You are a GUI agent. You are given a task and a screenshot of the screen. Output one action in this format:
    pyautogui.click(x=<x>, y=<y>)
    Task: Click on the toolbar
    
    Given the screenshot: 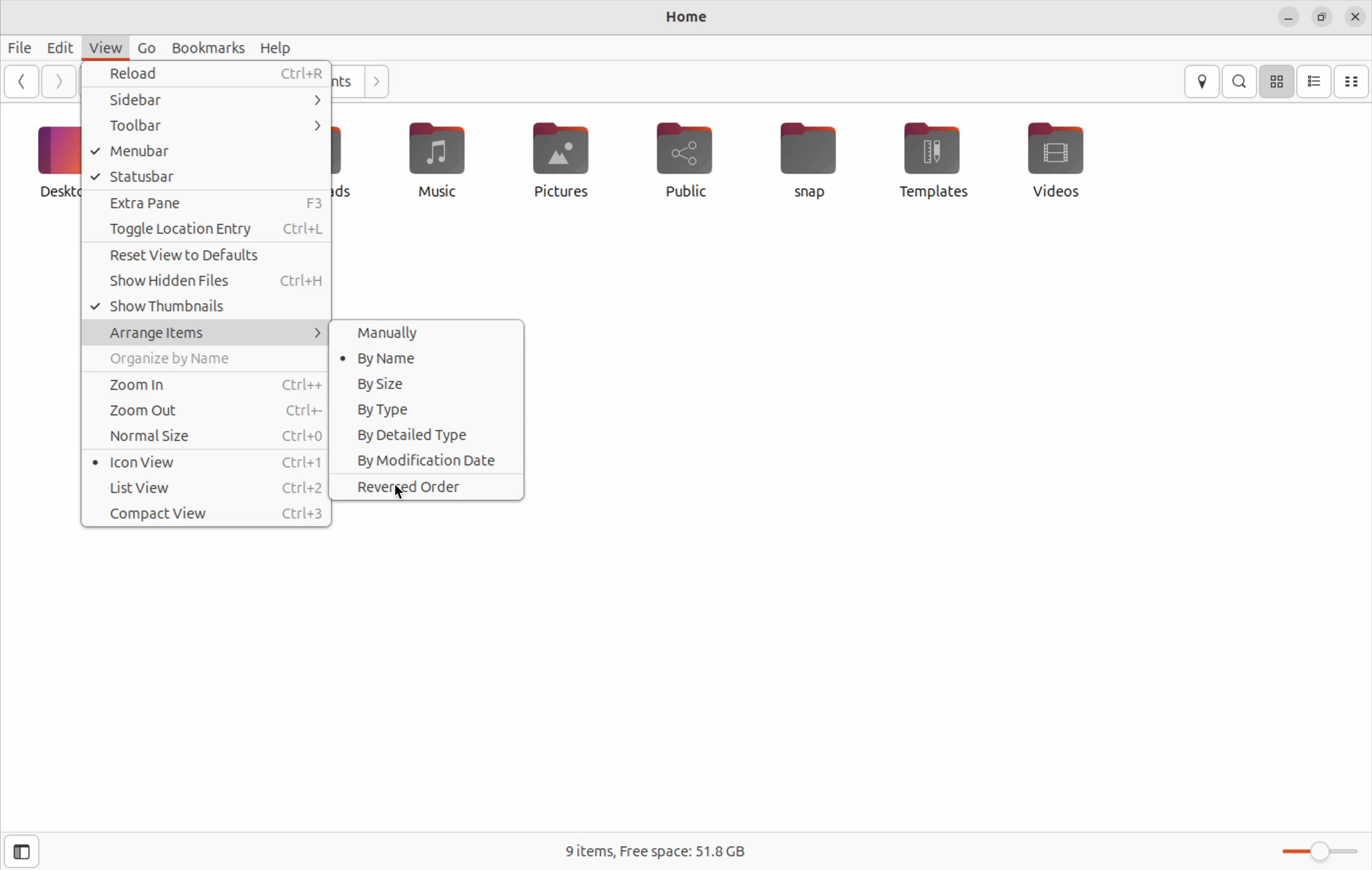 What is the action you would take?
    pyautogui.click(x=210, y=126)
    